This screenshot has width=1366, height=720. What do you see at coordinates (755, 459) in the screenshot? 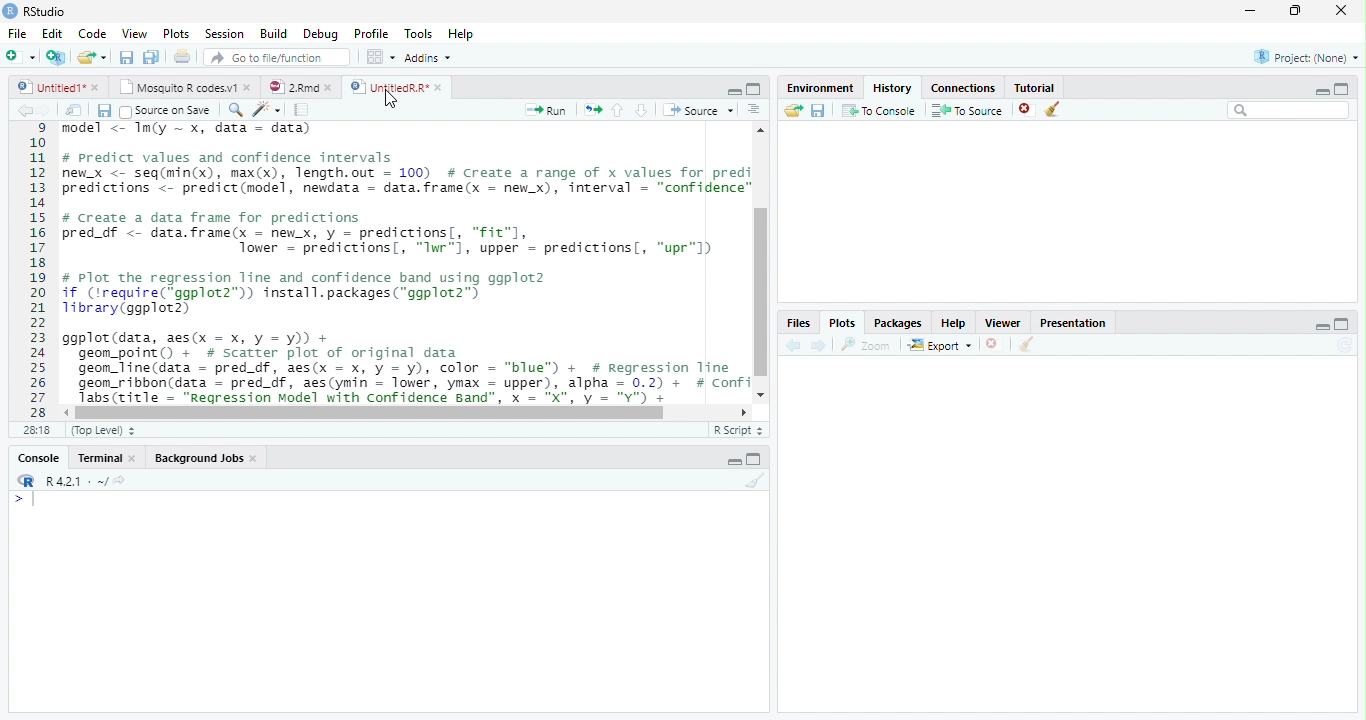
I see `Maximize` at bounding box center [755, 459].